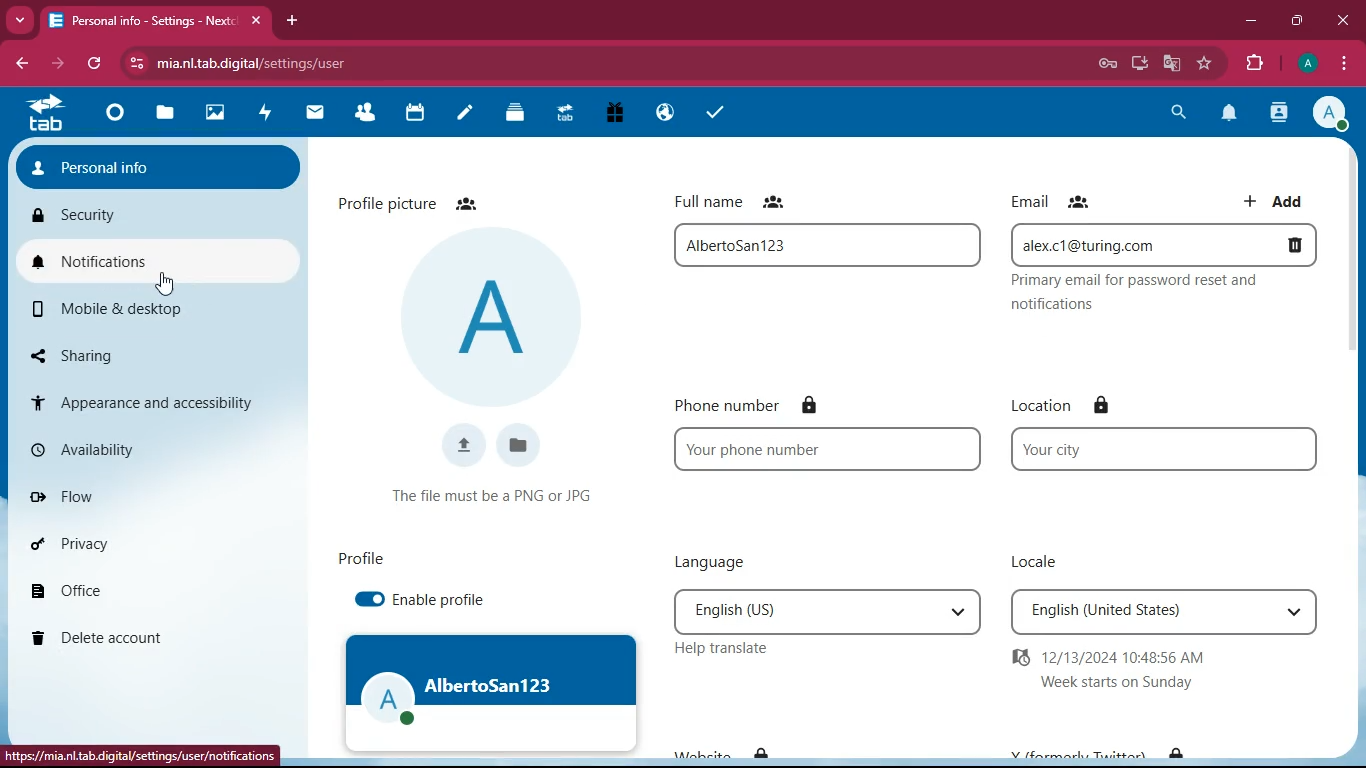 This screenshot has height=768, width=1366. Describe the element at coordinates (171, 115) in the screenshot. I see `files` at that location.